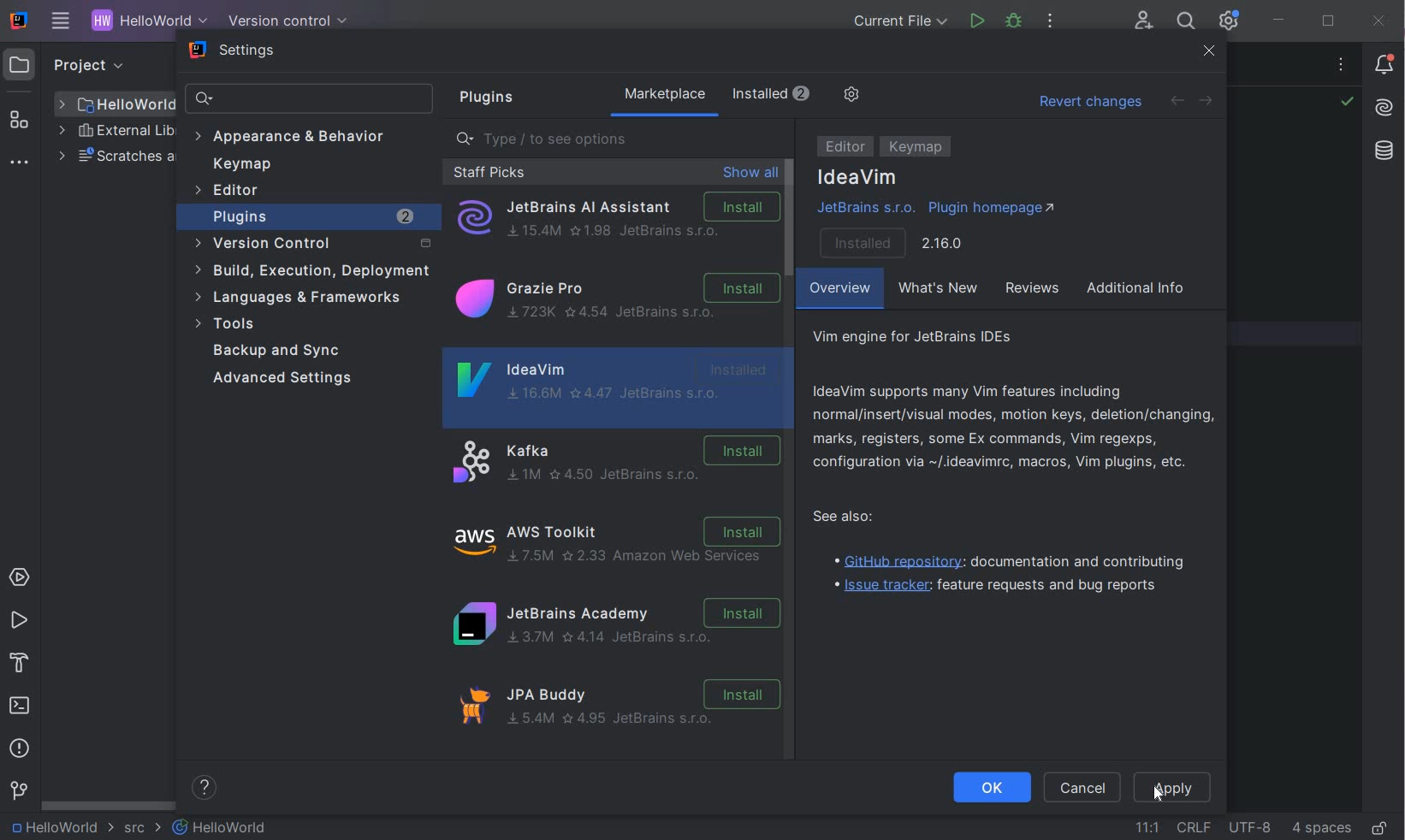 This screenshot has width=1405, height=840. What do you see at coordinates (18, 790) in the screenshot?
I see `VERSION CONTROL` at bounding box center [18, 790].